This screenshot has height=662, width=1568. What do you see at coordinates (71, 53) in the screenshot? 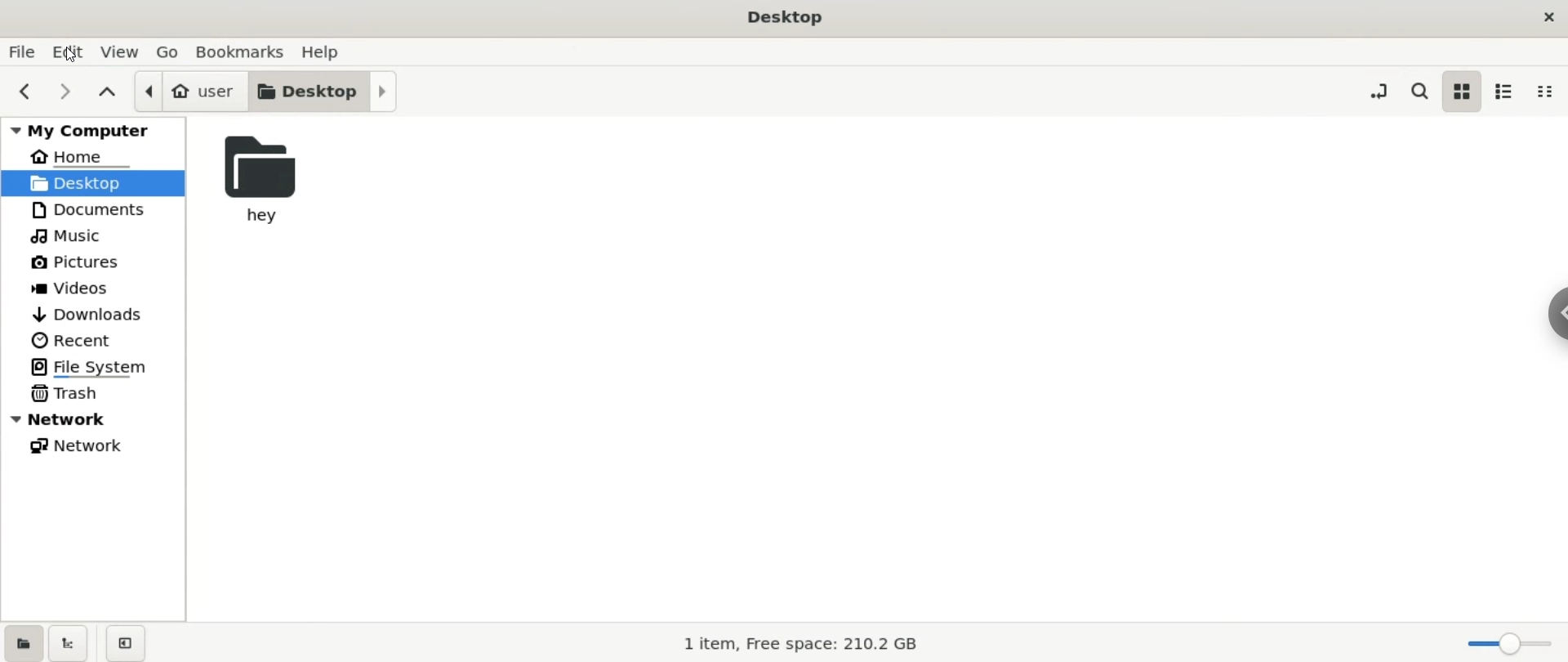
I see `edit` at bounding box center [71, 53].